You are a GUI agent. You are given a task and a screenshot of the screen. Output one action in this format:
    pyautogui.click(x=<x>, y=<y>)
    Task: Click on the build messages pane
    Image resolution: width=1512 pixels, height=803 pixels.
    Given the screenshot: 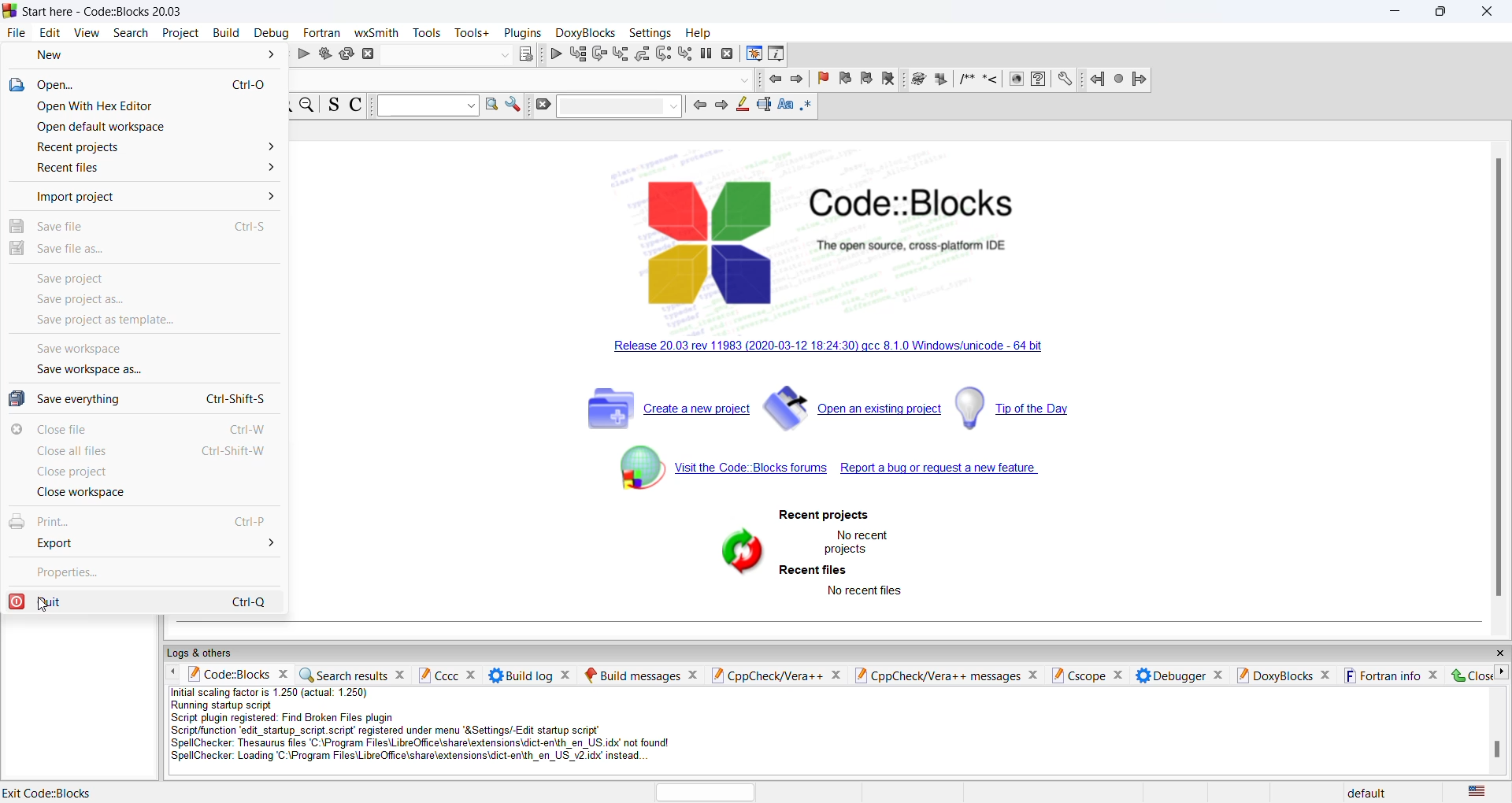 What is the action you would take?
    pyautogui.click(x=631, y=675)
    